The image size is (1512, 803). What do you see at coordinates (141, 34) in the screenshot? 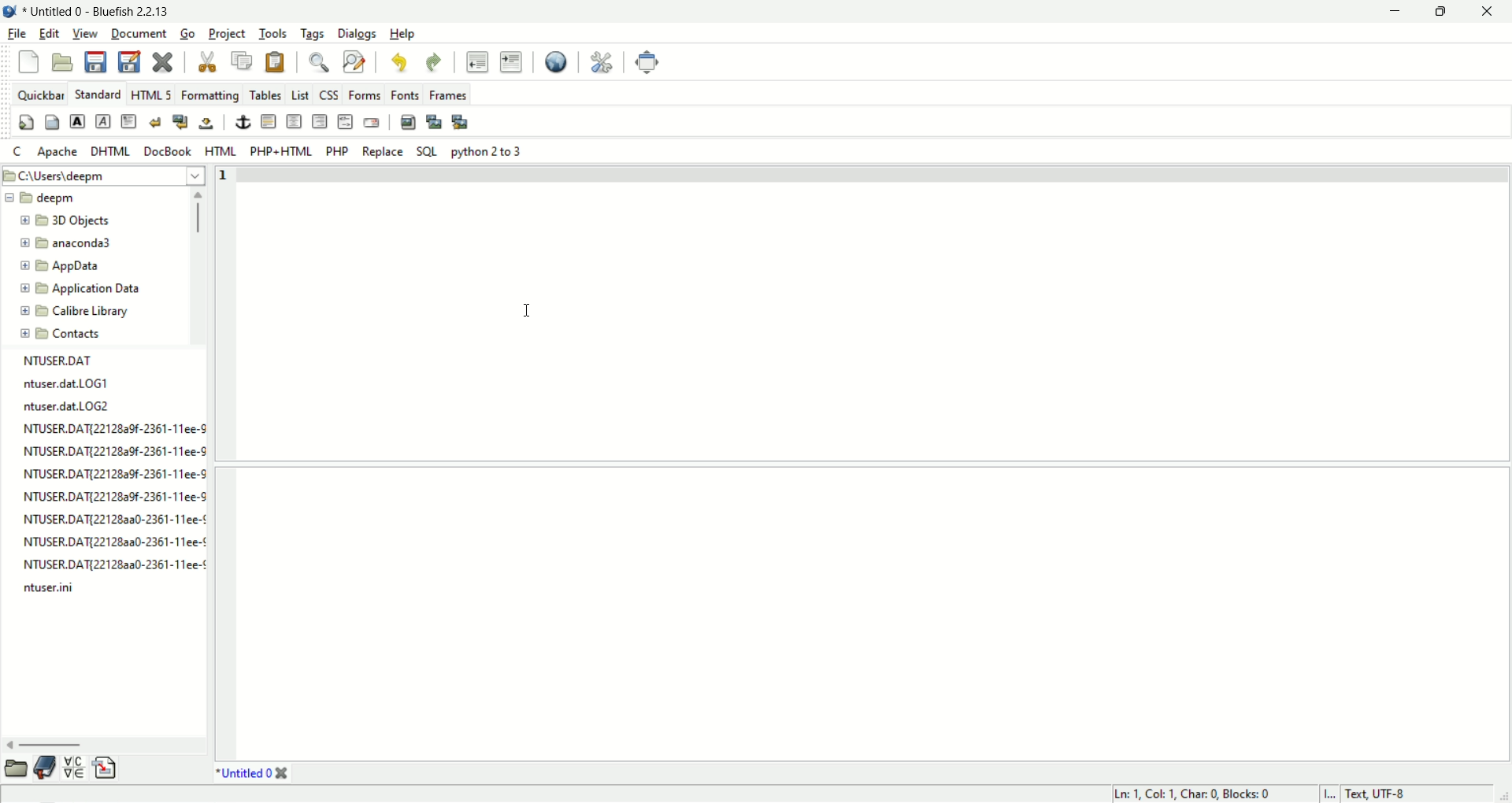
I see `document` at bounding box center [141, 34].